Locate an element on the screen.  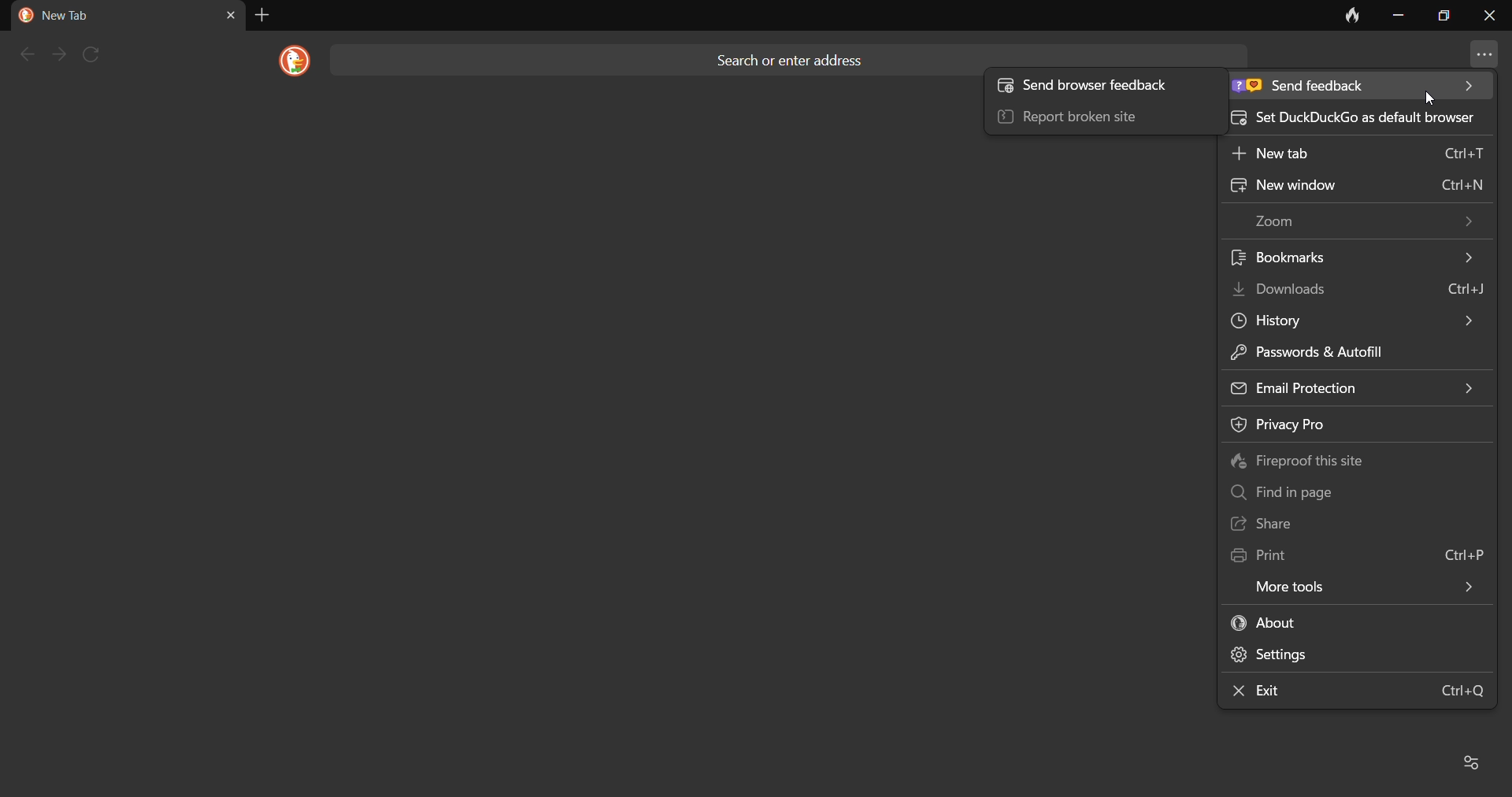
find in page is located at coordinates (1351, 491).